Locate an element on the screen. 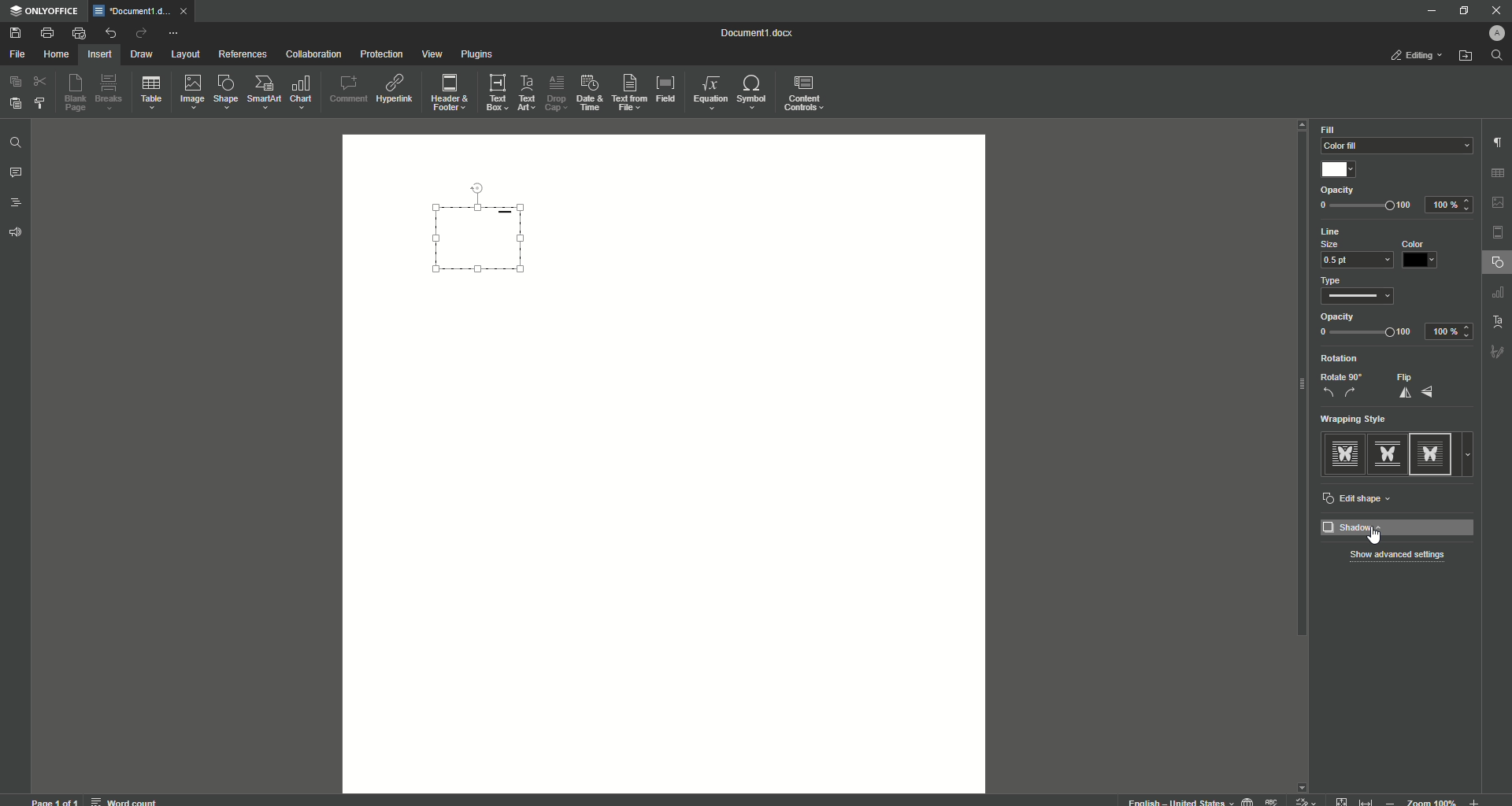  Feedback is located at coordinates (17, 233).